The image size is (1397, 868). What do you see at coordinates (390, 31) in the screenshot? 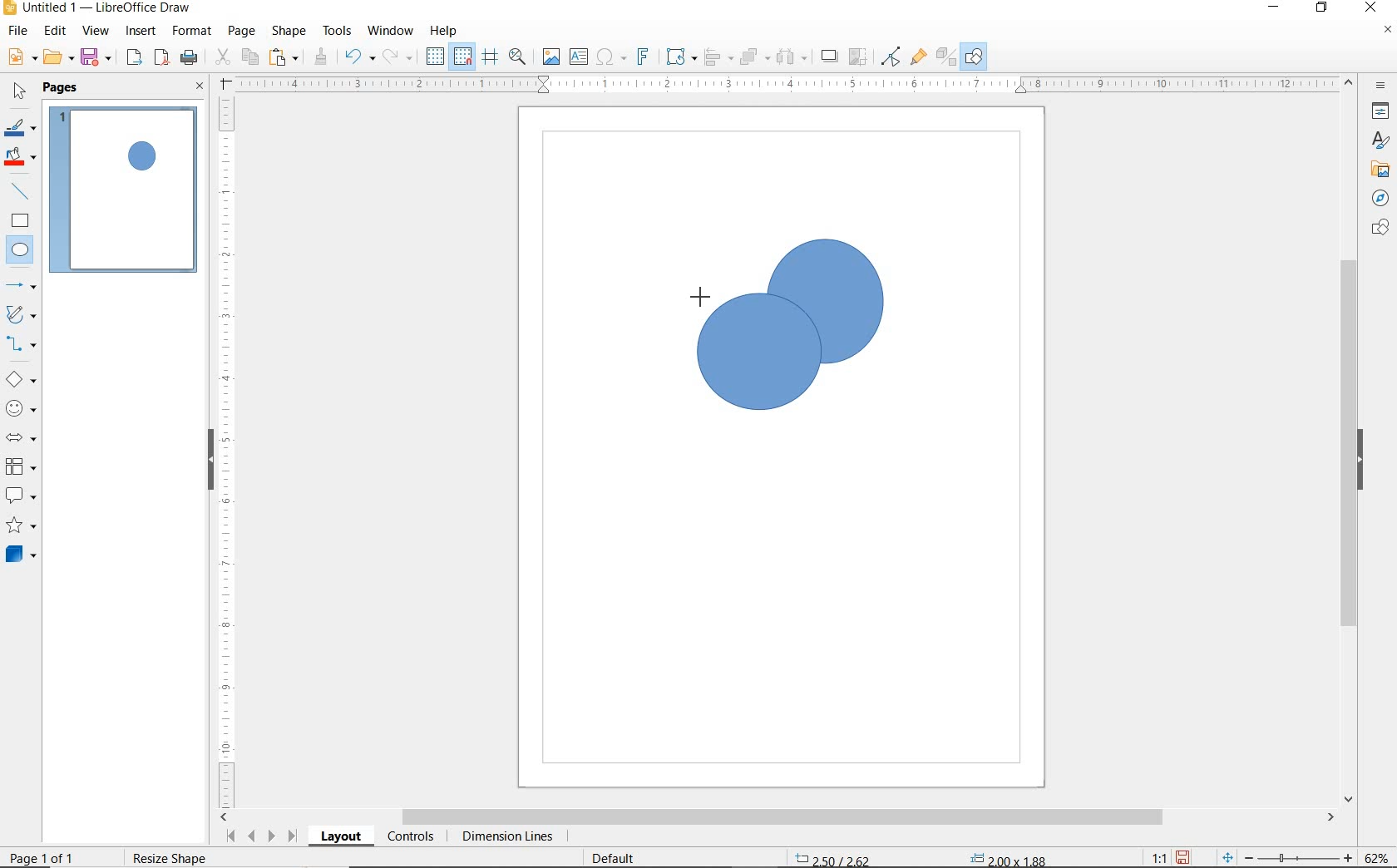
I see `WINDOW` at bounding box center [390, 31].